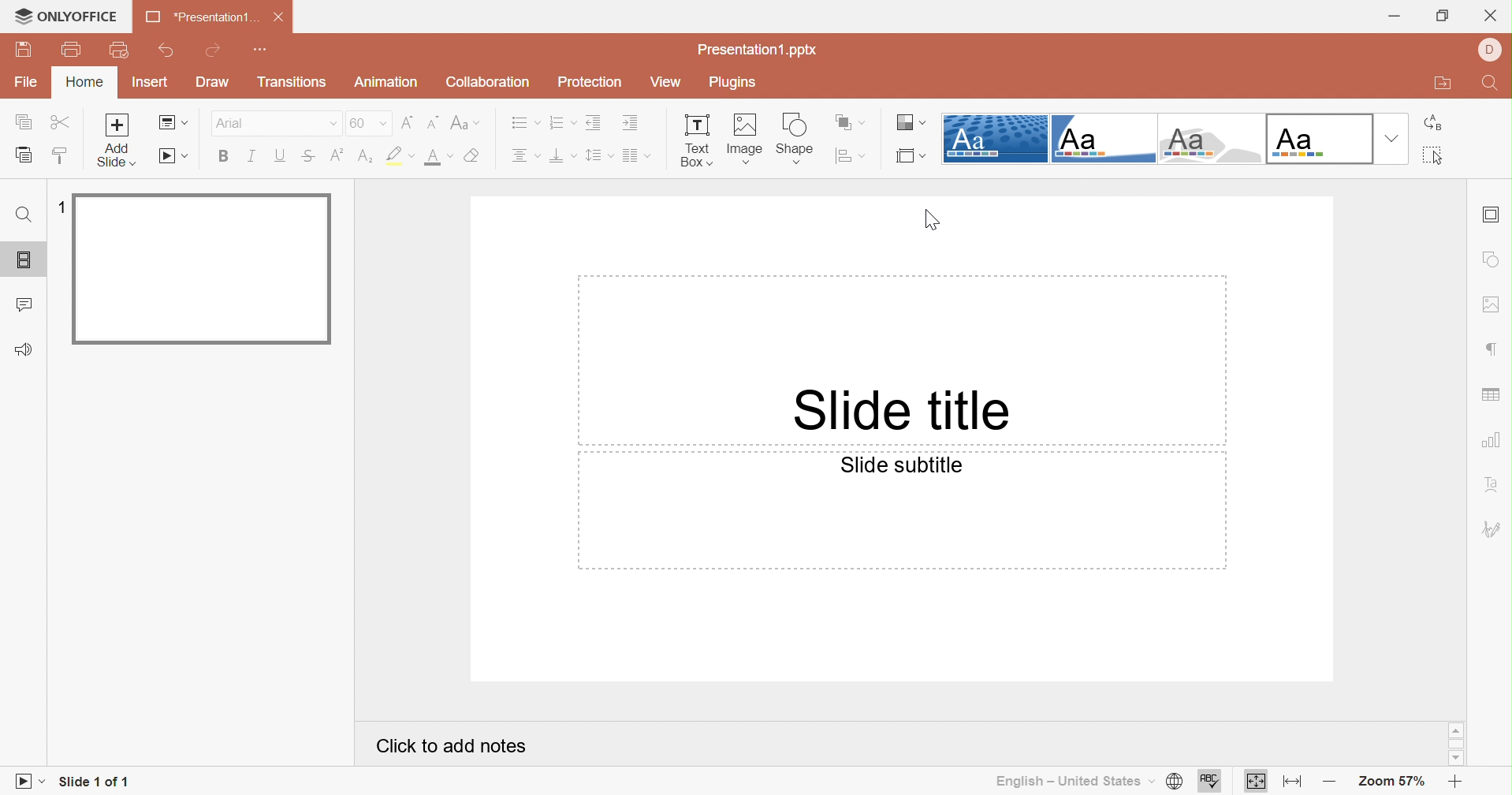 This screenshot has width=1512, height=795. What do you see at coordinates (397, 157) in the screenshot?
I see `Highlight color` at bounding box center [397, 157].